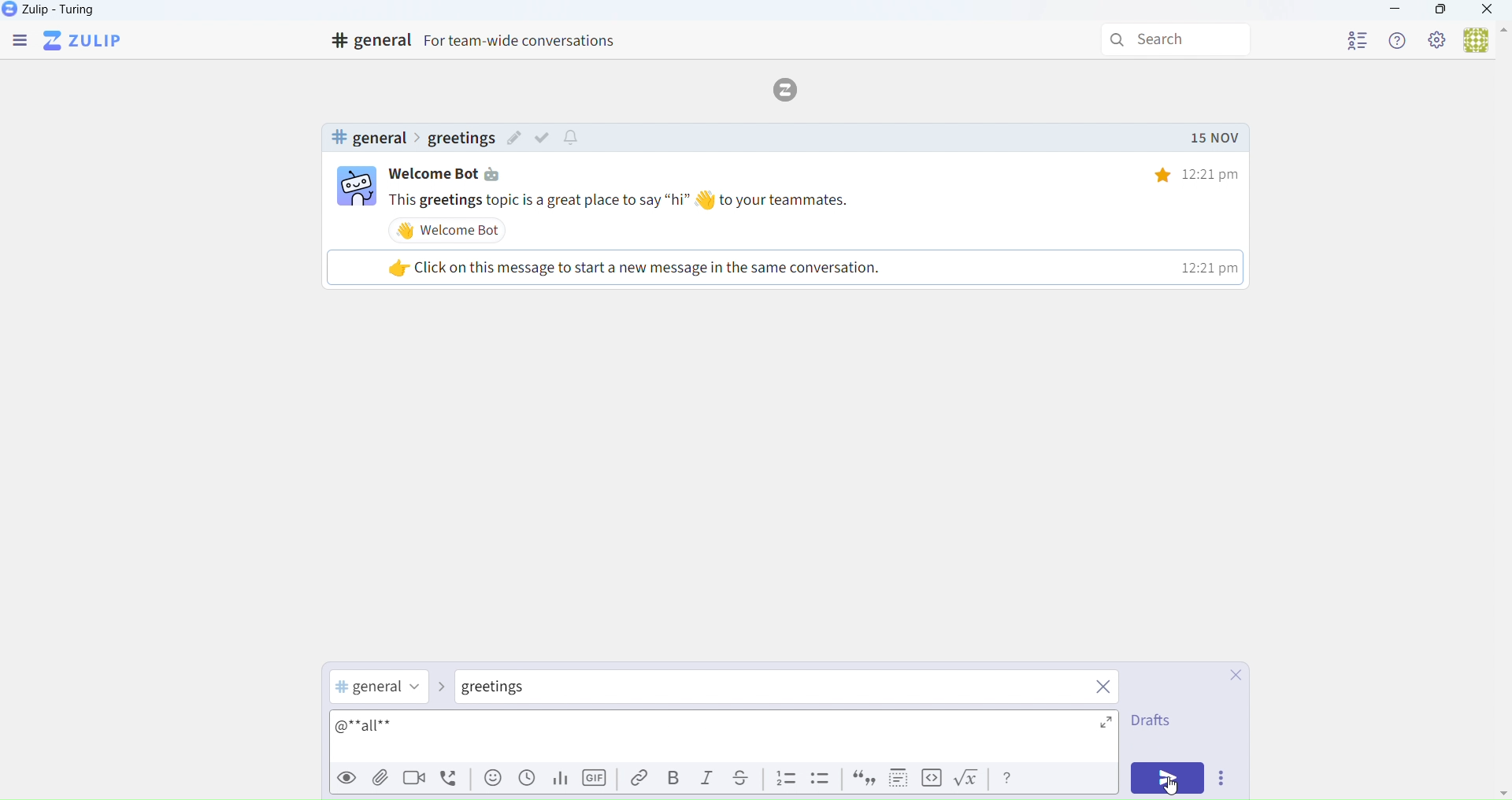  I want to click on Preview, so click(344, 778).